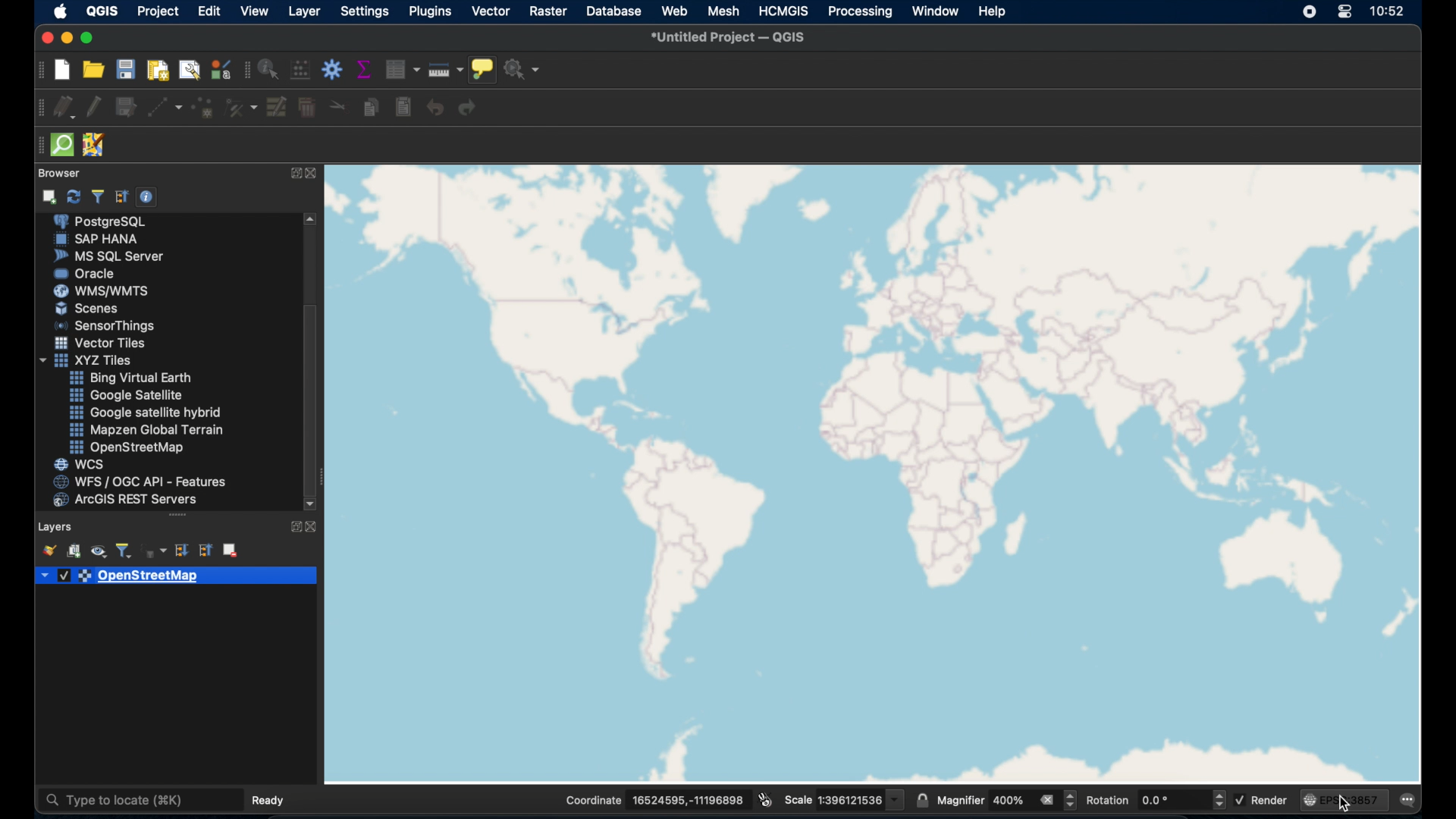 The width and height of the screenshot is (1456, 819). What do you see at coordinates (45, 37) in the screenshot?
I see `close` at bounding box center [45, 37].